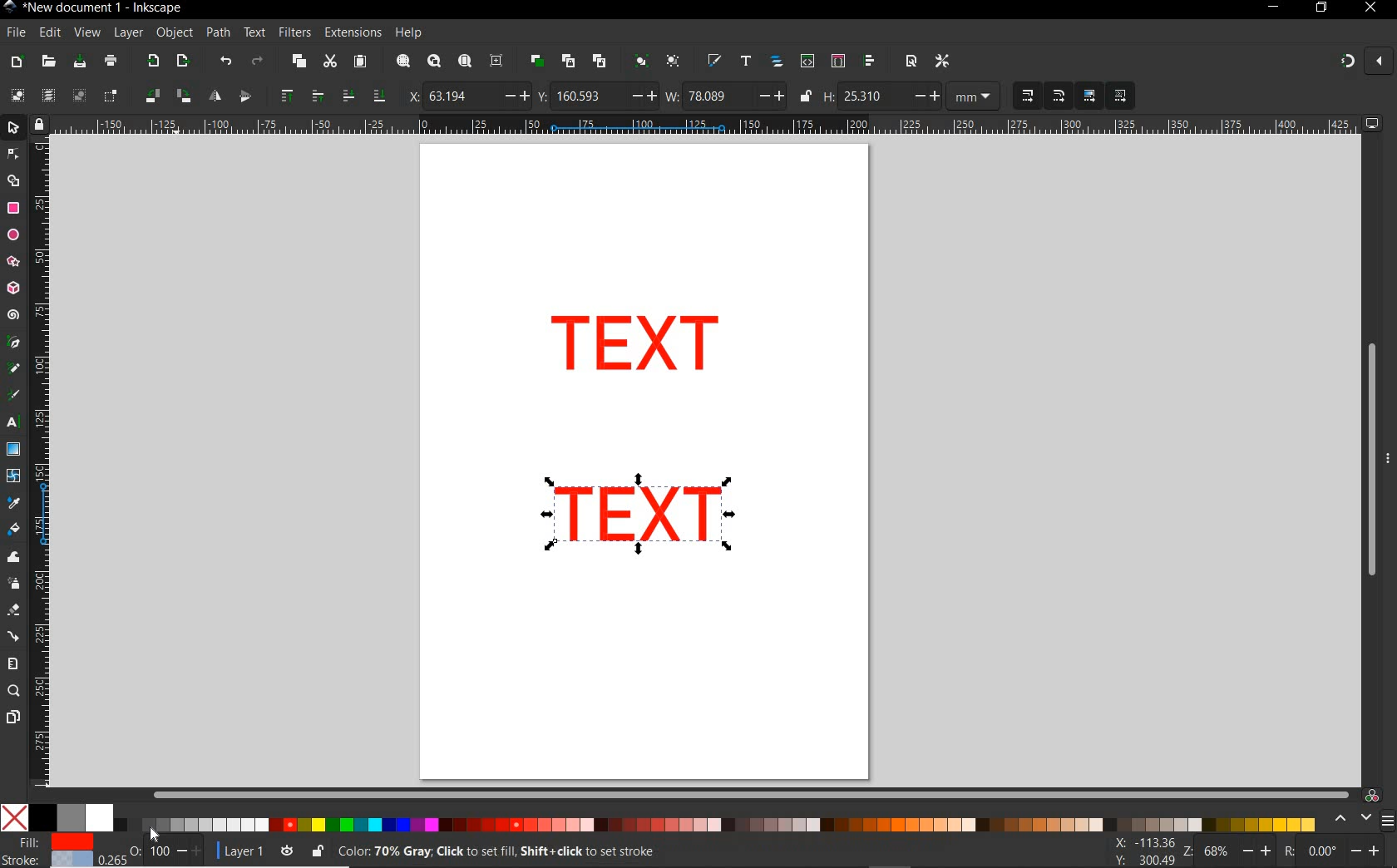 This screenshot has height=868, width=1397. What do you see at coordinates (1356, 62) in the screenshot?
I see `ENABLE SNAPPING TOOL` at bounding box center [1356, 62].